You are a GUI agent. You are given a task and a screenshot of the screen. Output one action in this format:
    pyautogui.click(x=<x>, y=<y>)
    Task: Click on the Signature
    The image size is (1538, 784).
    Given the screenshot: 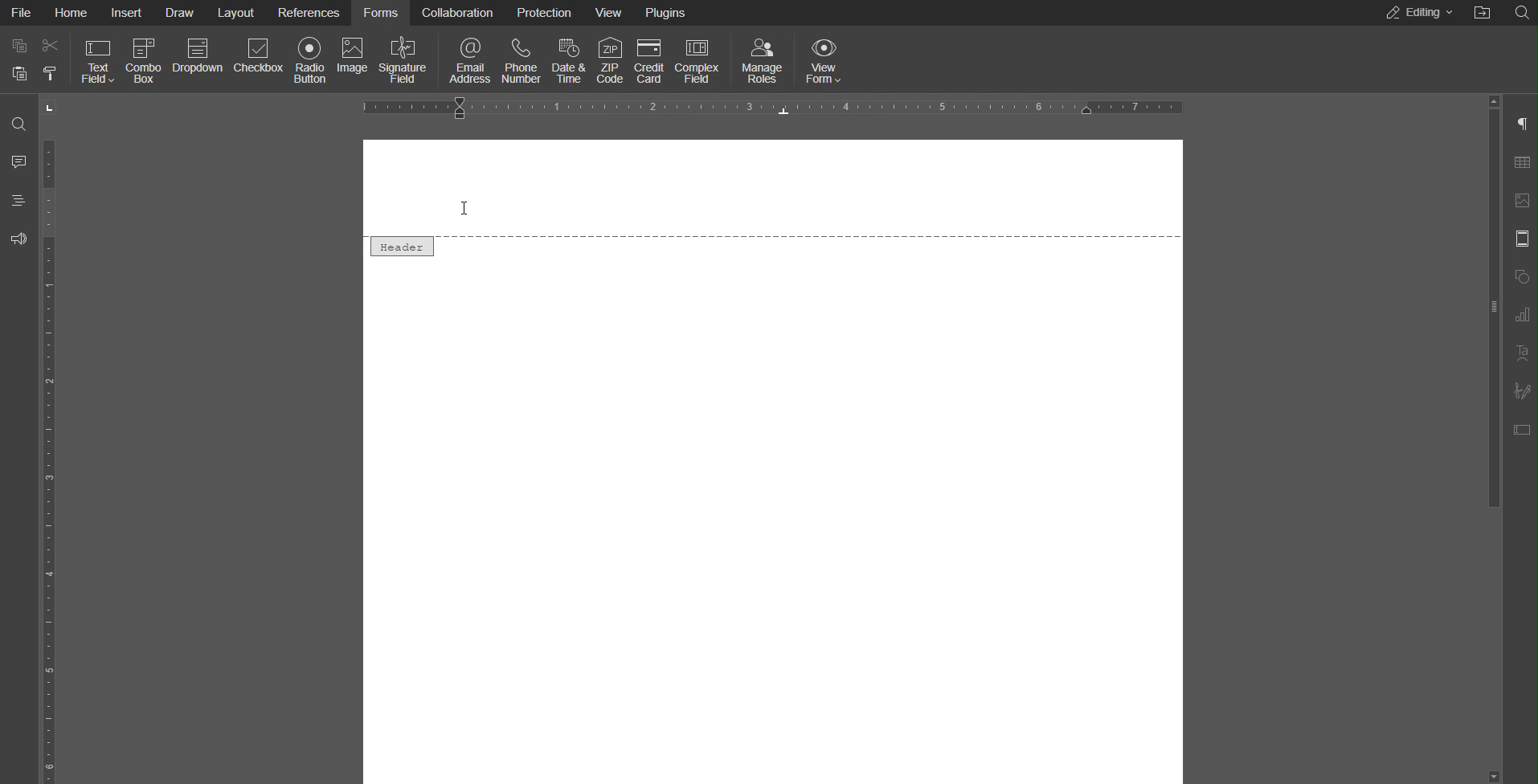 What is the action you would take?
    pyautogui.click(x=1520, y=390)
    